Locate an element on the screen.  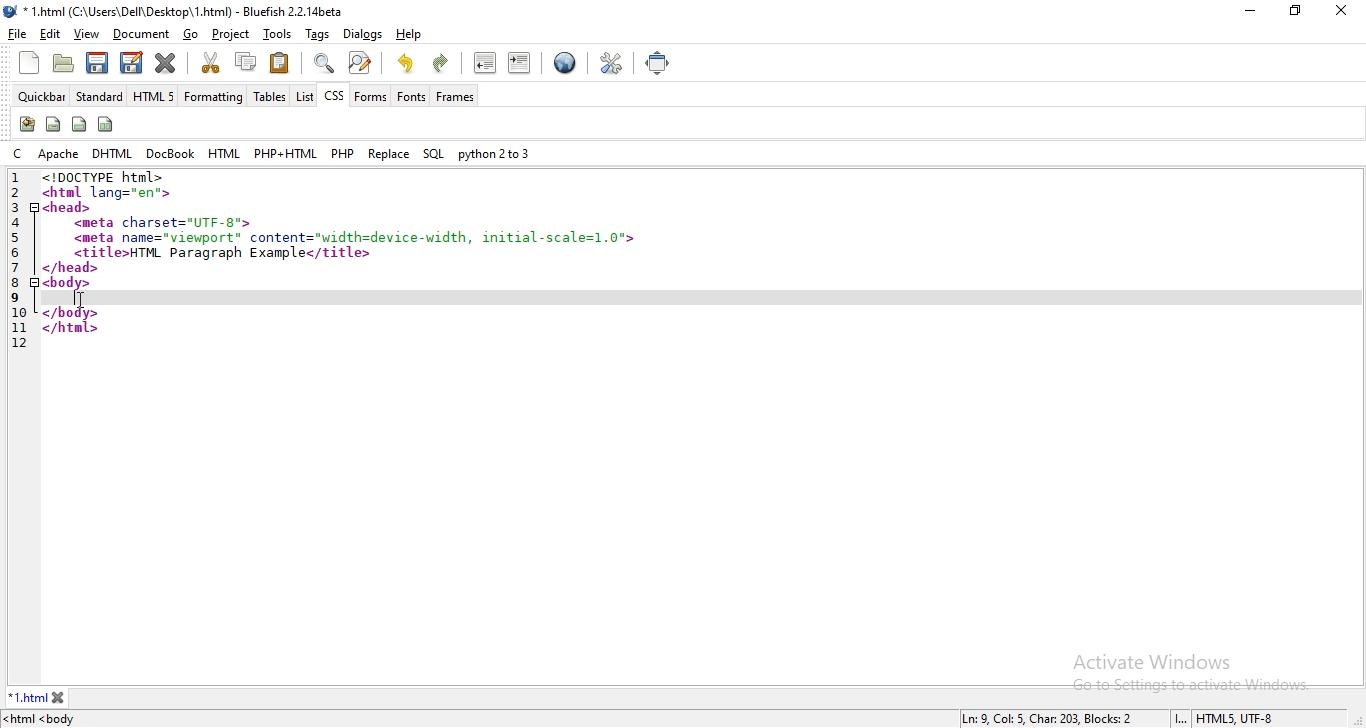
restore windows is located at coordinates (1293, 11).